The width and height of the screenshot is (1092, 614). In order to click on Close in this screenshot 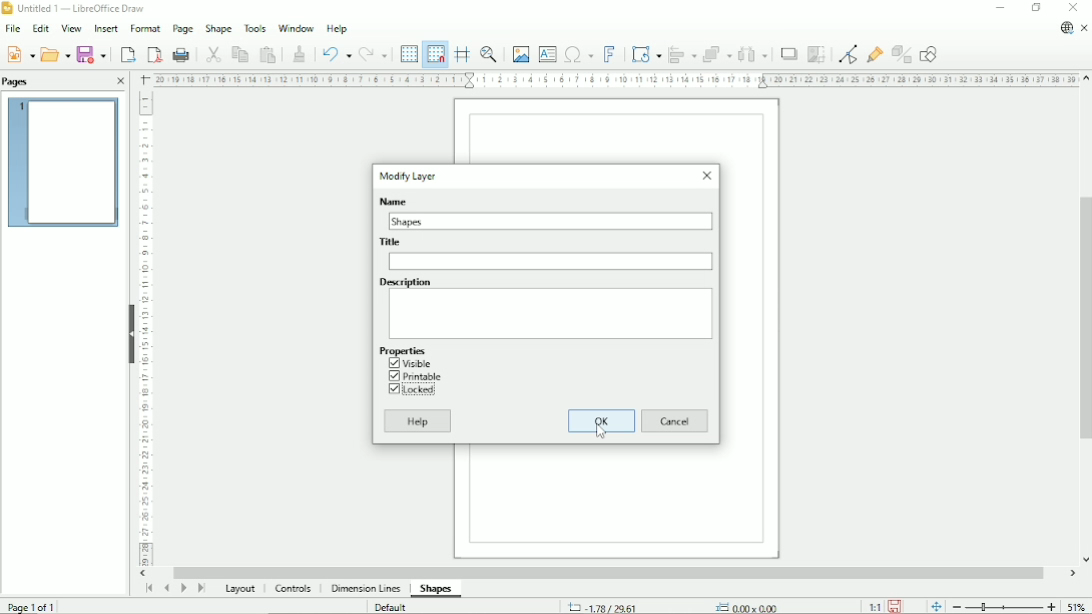, I will do `click(706, 176)`.